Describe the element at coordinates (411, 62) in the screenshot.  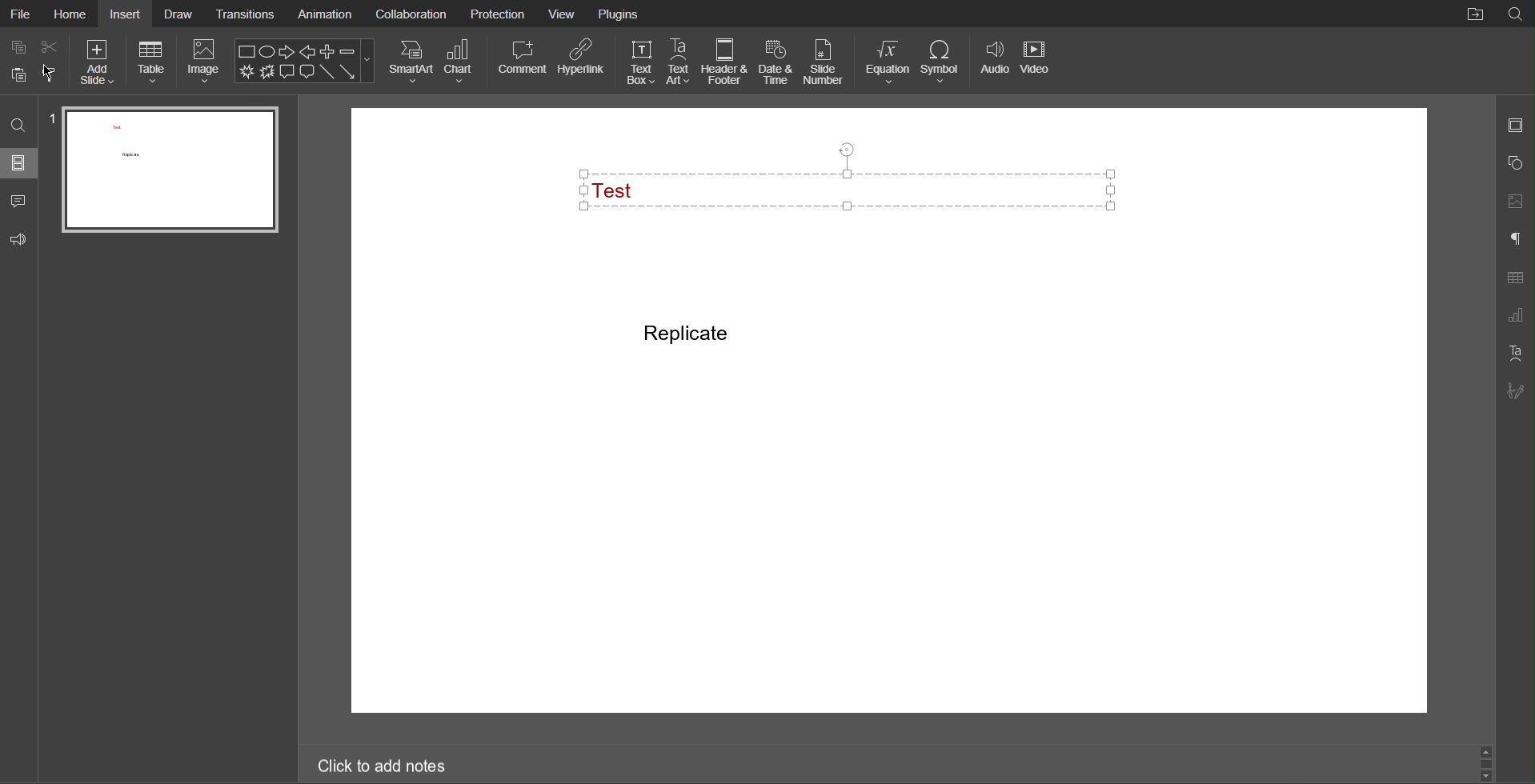
I see `SmartArt` at that location.